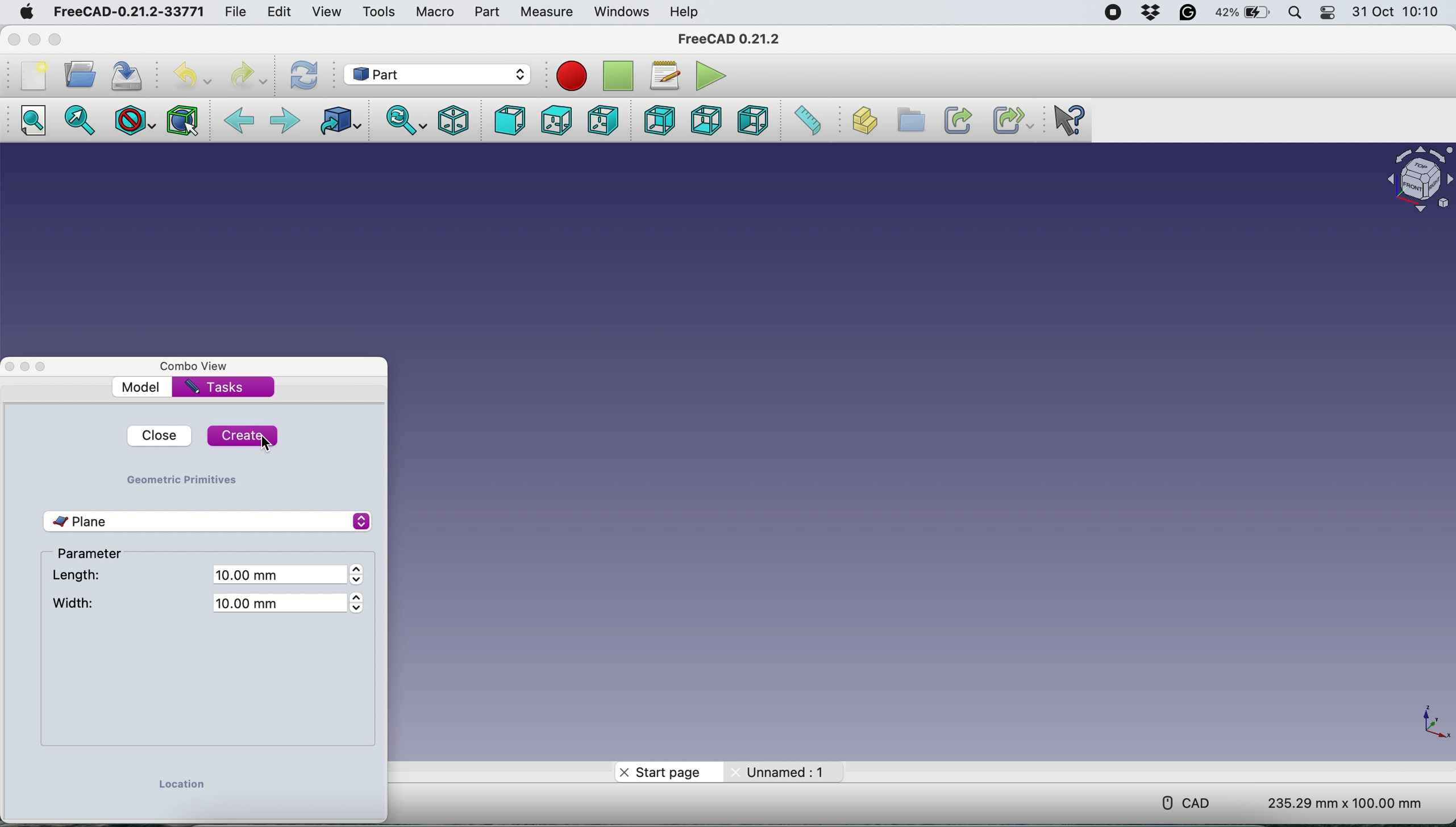 This screenshot has height=827, width=1456. I want to click on Close, so click(14, 40).